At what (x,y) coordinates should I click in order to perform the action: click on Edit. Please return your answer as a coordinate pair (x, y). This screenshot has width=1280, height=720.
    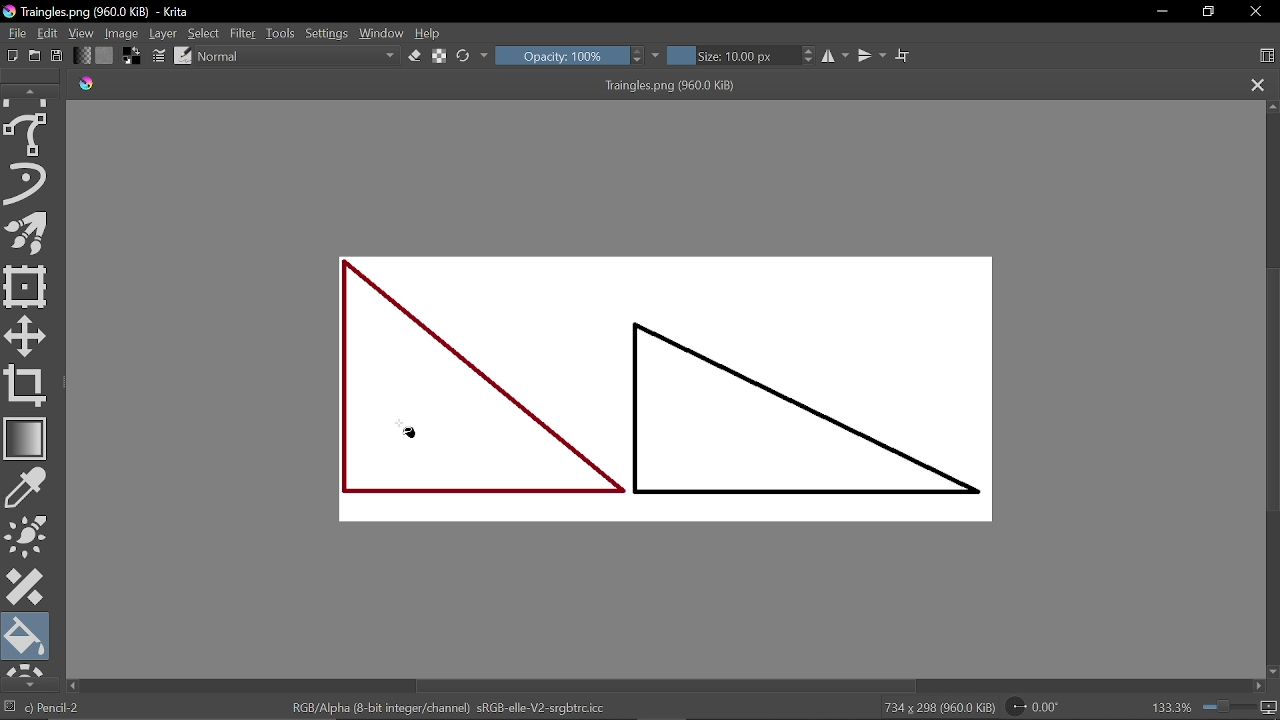
    Looking at the image, I should click on (47, 35).